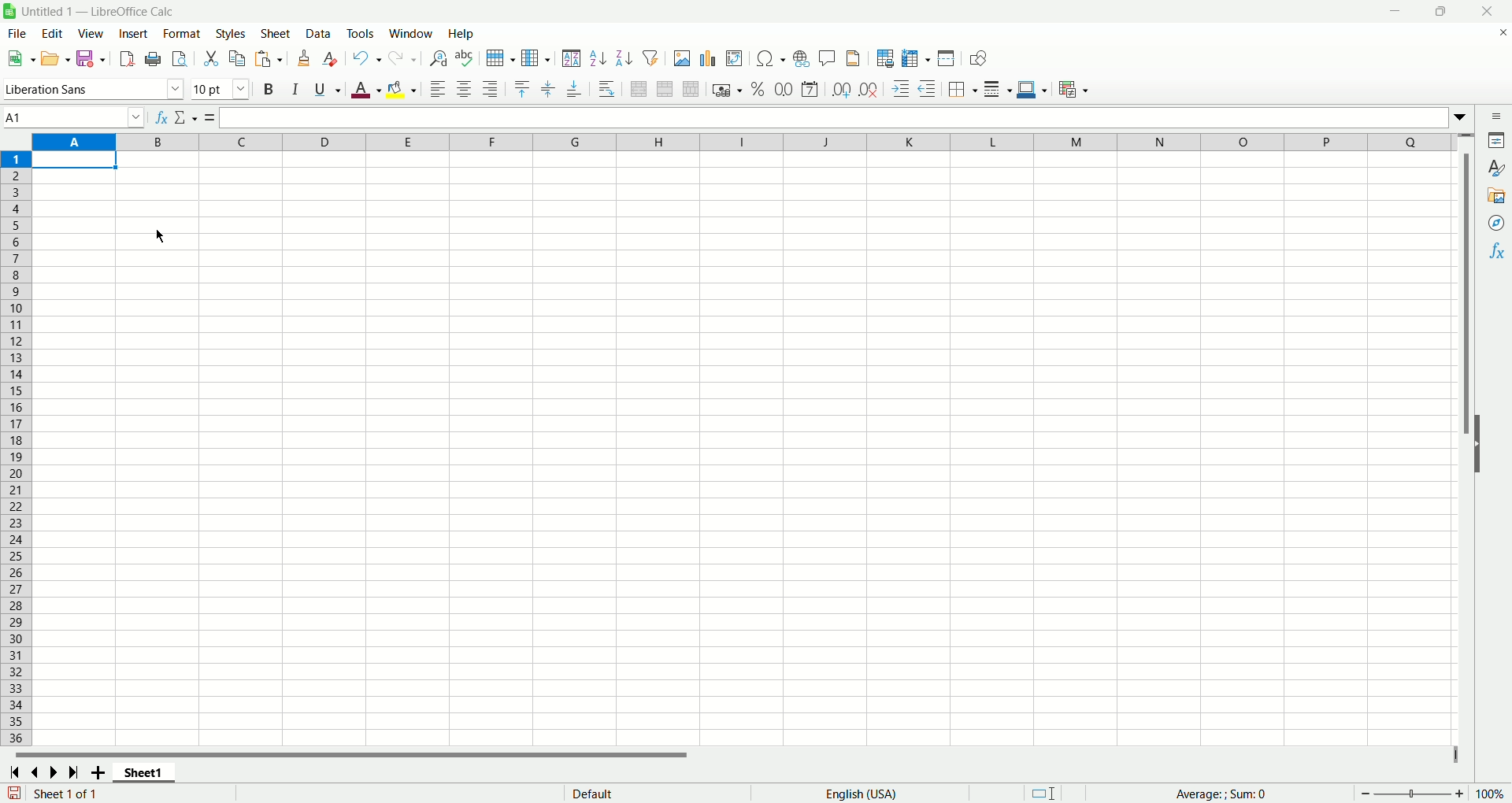 The height and width of the screenshot is (803, 1512). Describe the element at coordinates (9, 11) in the screenshot. I see `logo` at that location.